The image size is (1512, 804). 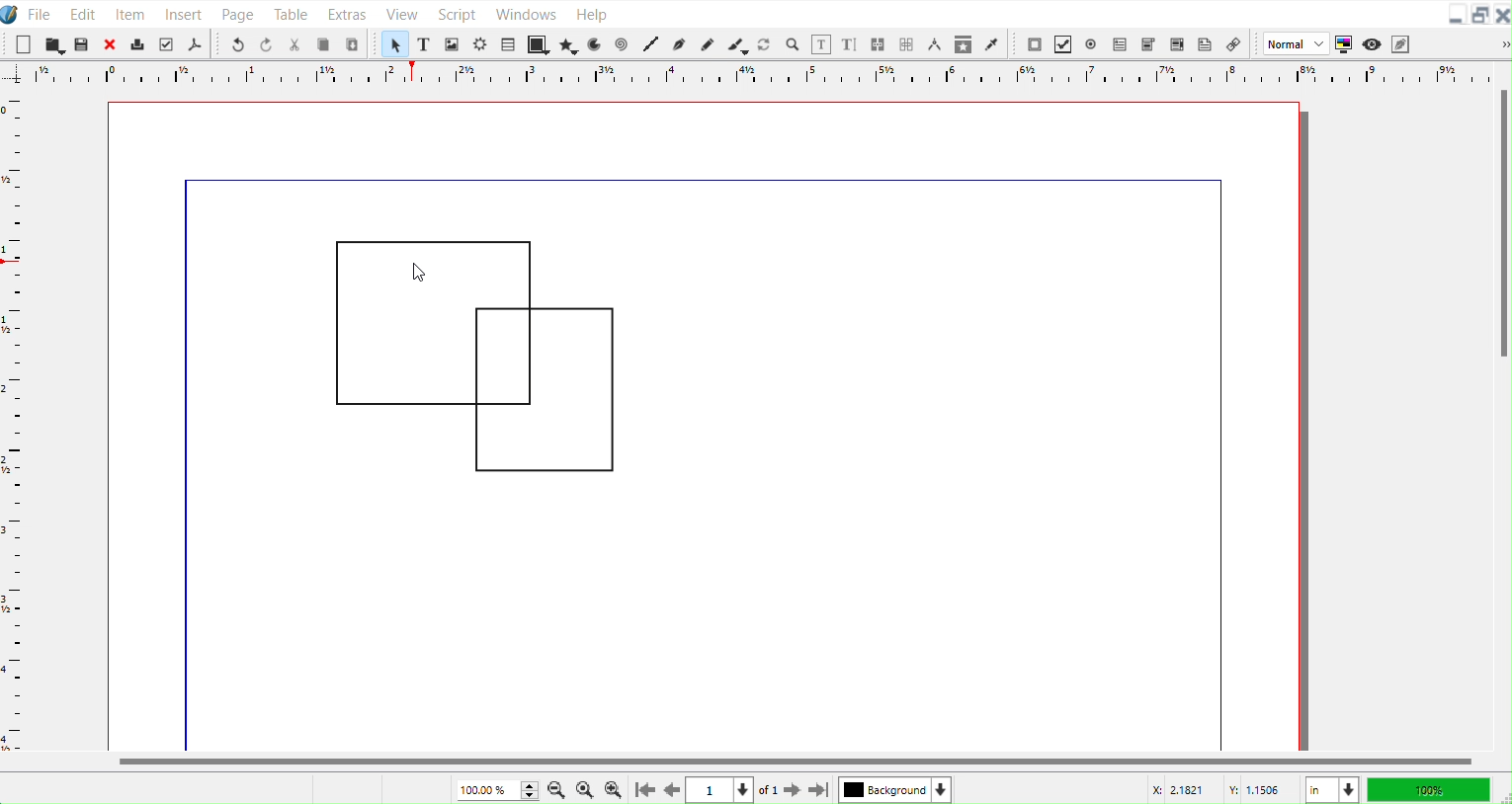 What do you see at coordinates (1496, 43) in the screenshot?
I see `Drop down box` at bounding box center [1496, 43].